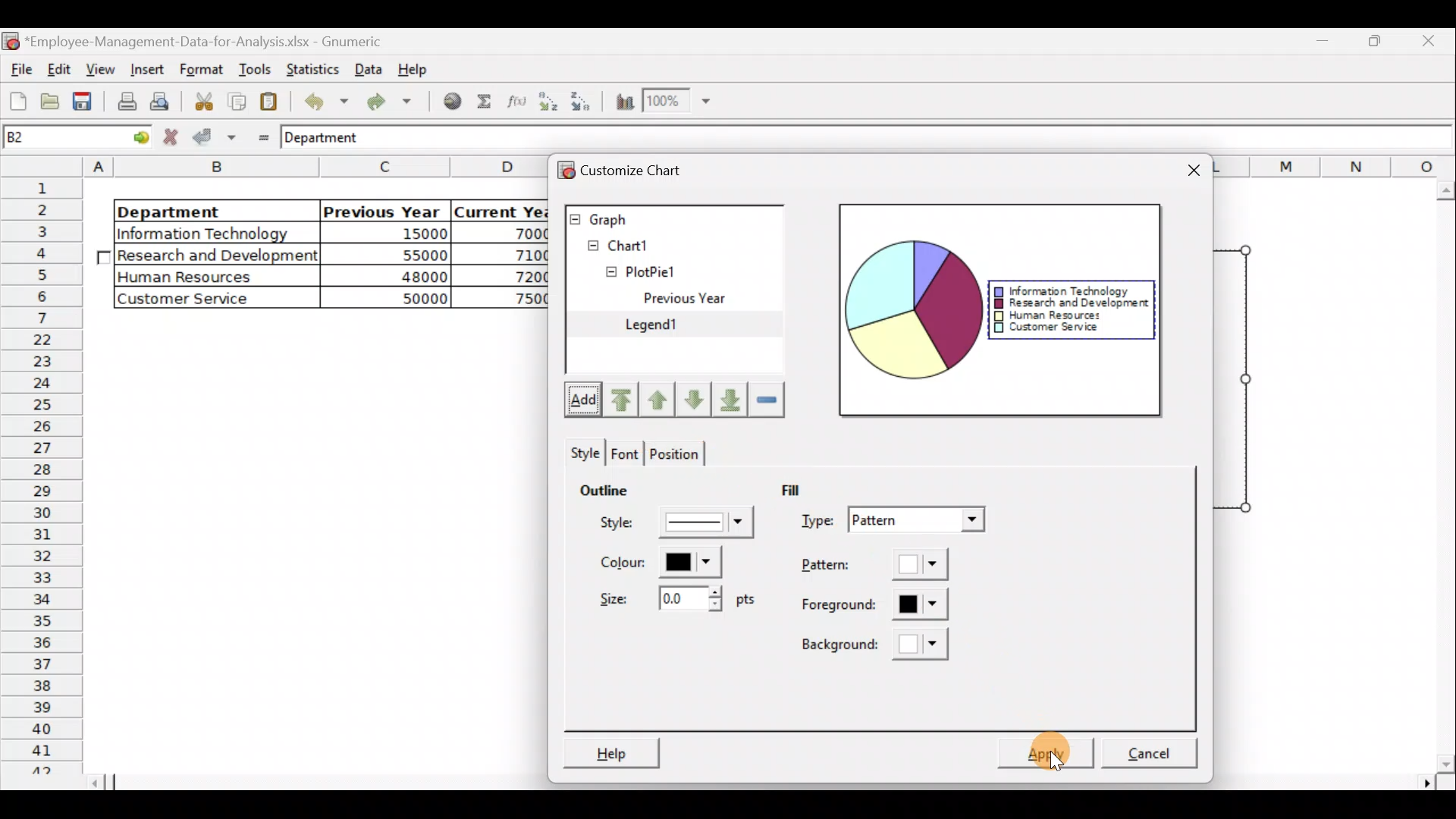  I want to click on Human Resources, so click(1047, 316).